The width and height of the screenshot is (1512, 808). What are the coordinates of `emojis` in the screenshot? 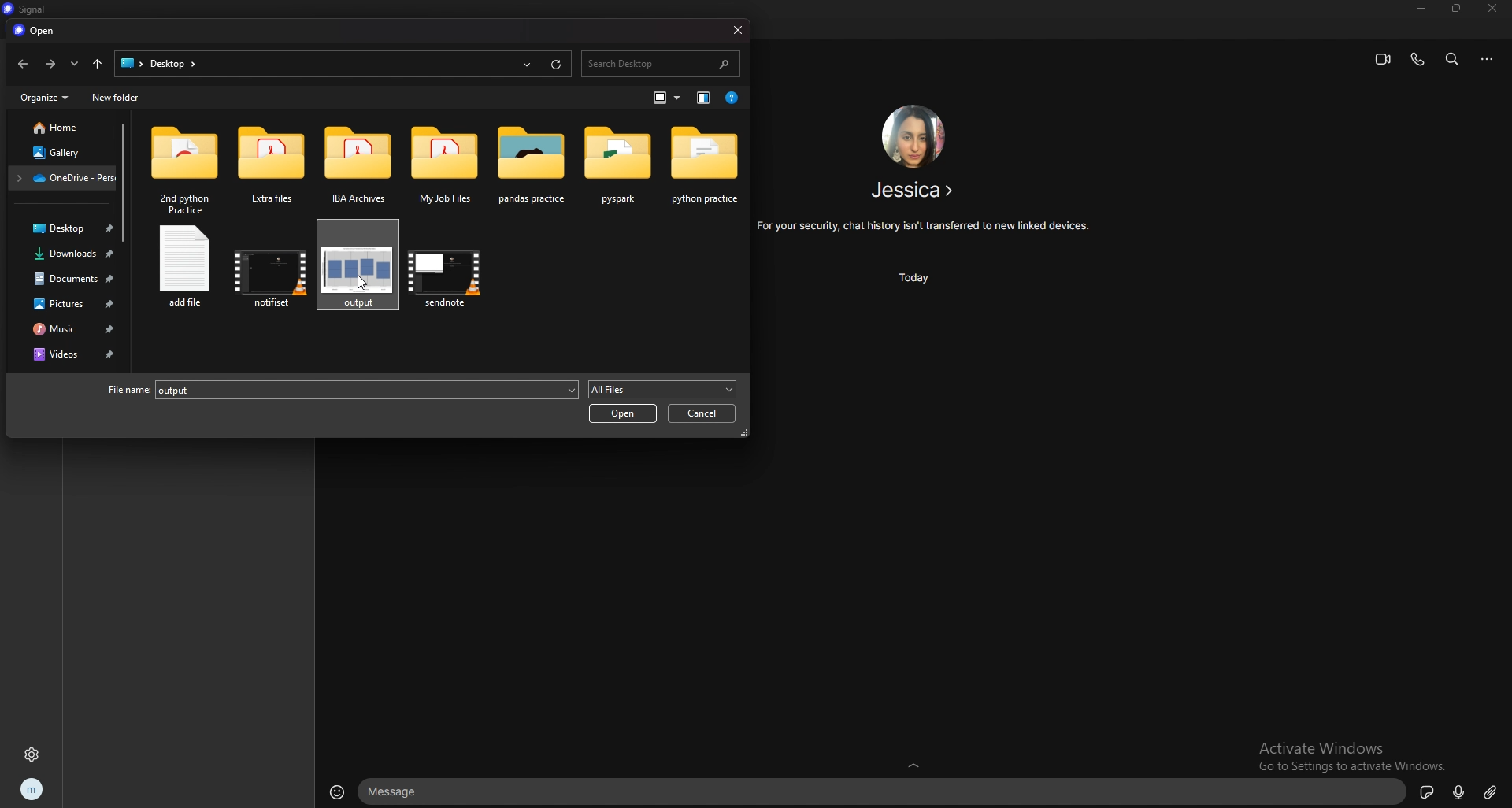 It's located at (336, 791).